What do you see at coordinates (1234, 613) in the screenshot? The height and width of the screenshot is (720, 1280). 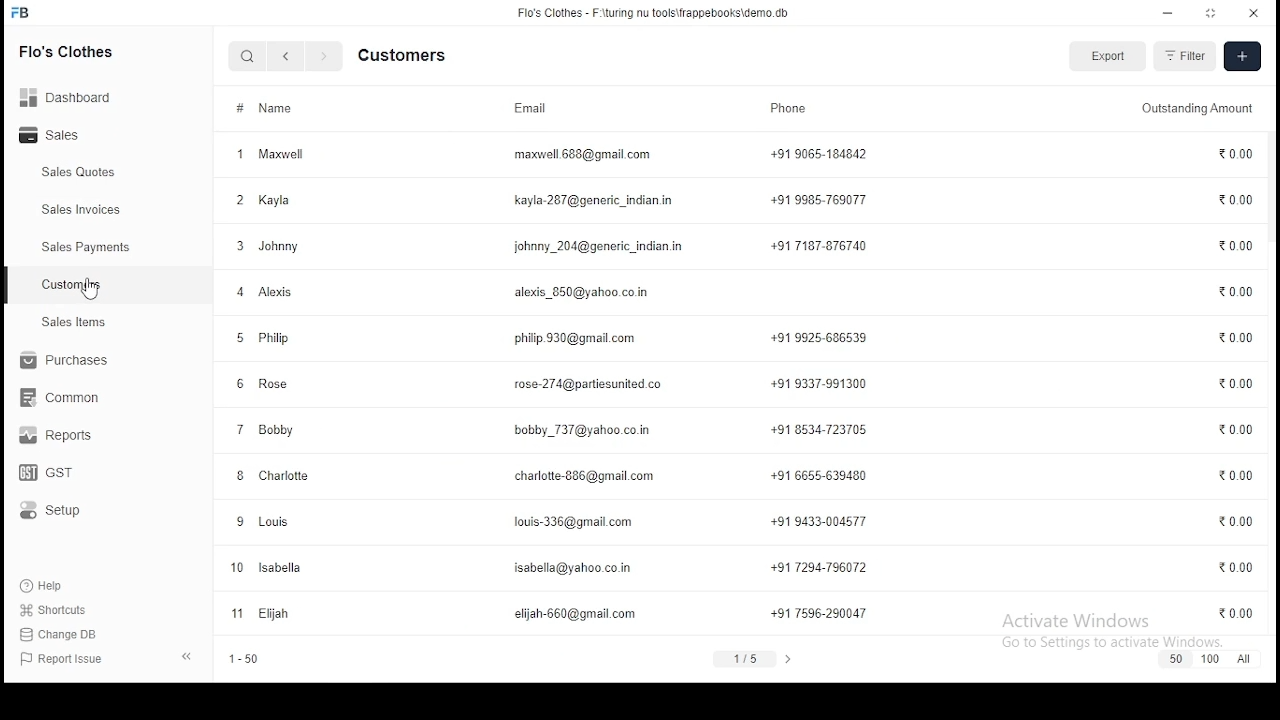 I see `0.00` at bounding box center [1234, 613].